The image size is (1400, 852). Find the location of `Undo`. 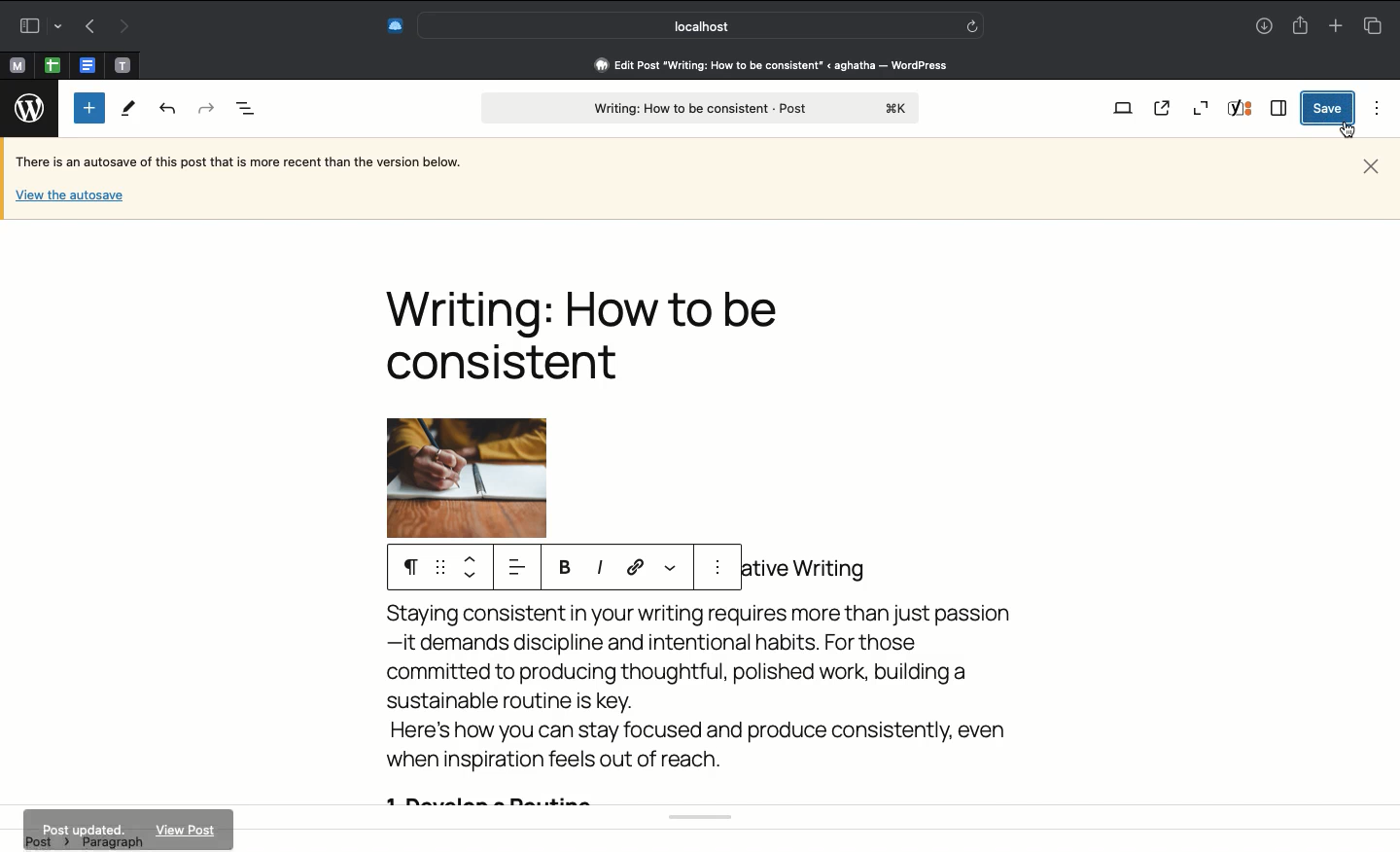

Undo is located at coordinates (168, 110).